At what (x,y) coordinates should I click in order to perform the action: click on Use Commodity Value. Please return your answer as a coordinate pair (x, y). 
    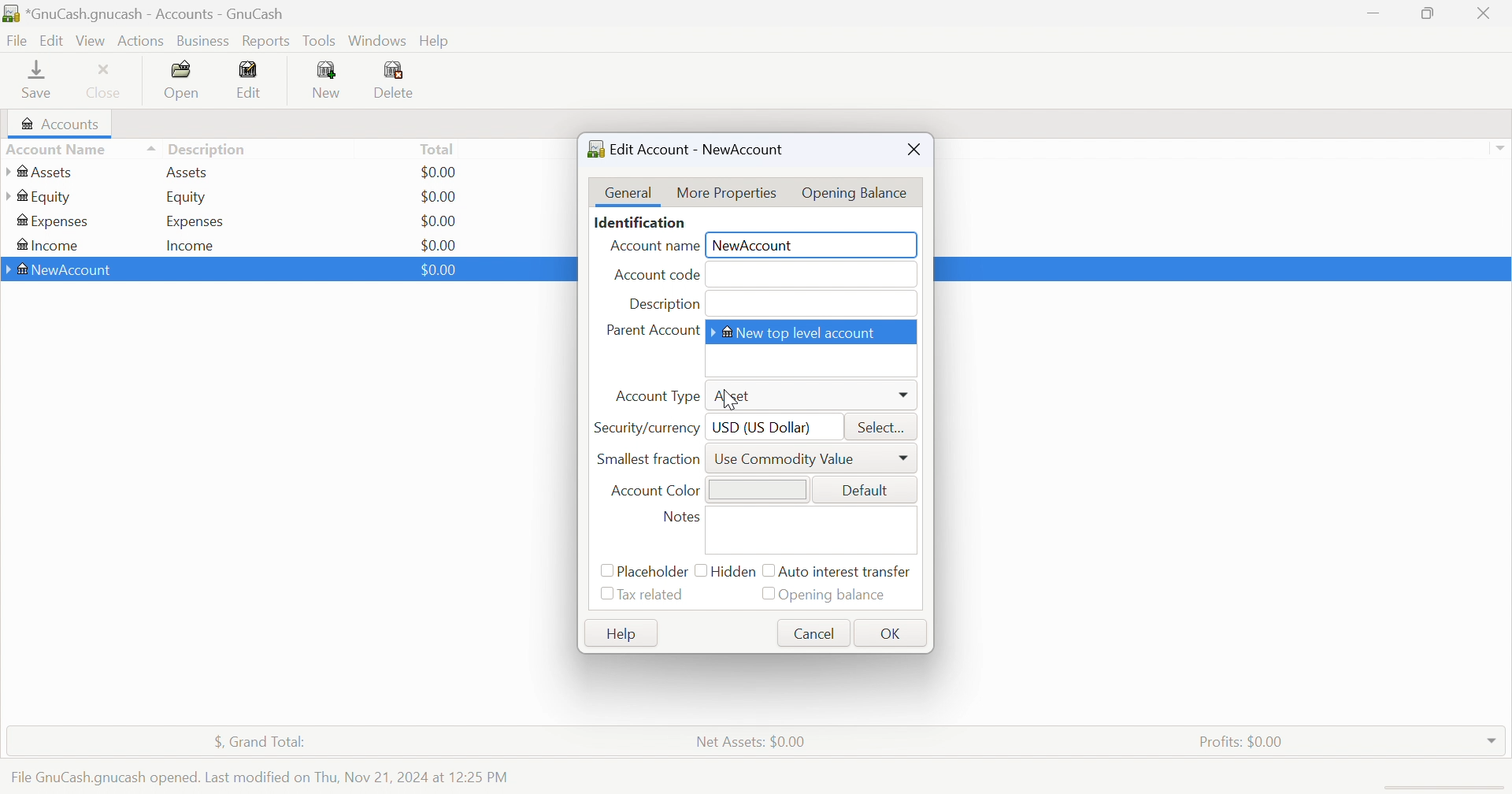
    Looking at the image, I should click on (791, 458).